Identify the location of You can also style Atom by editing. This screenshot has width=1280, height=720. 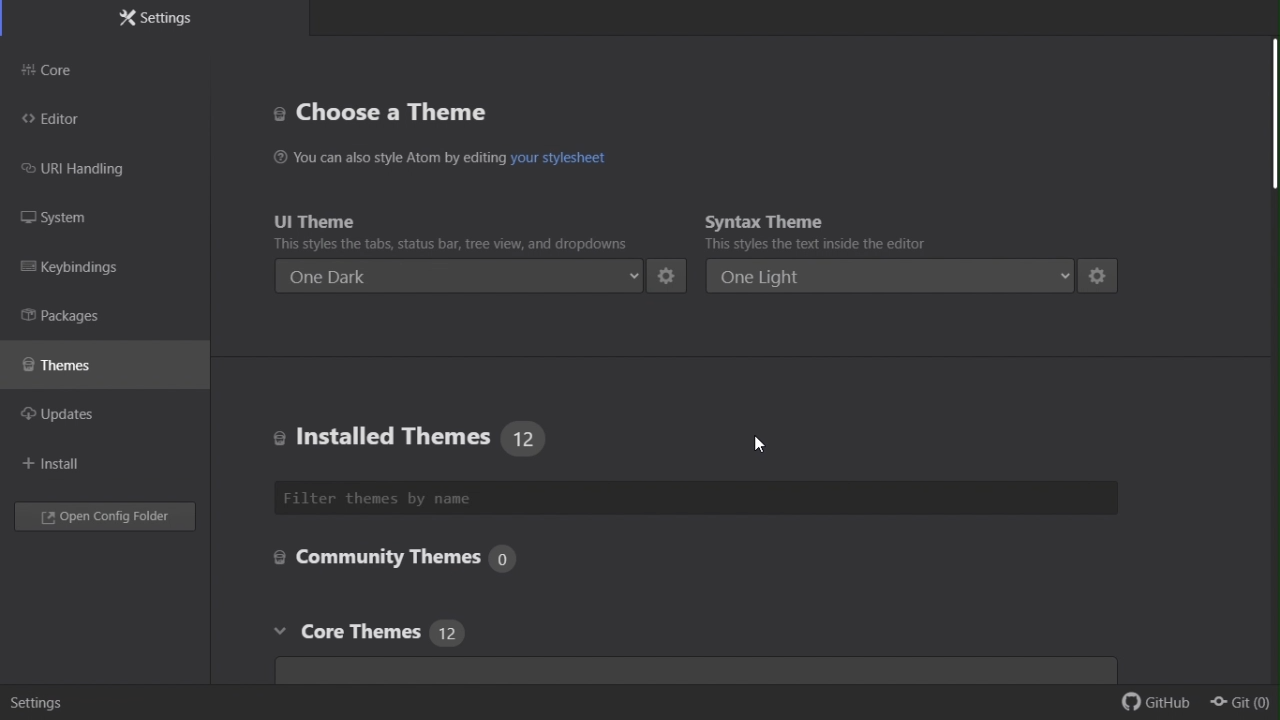
(387, 163).